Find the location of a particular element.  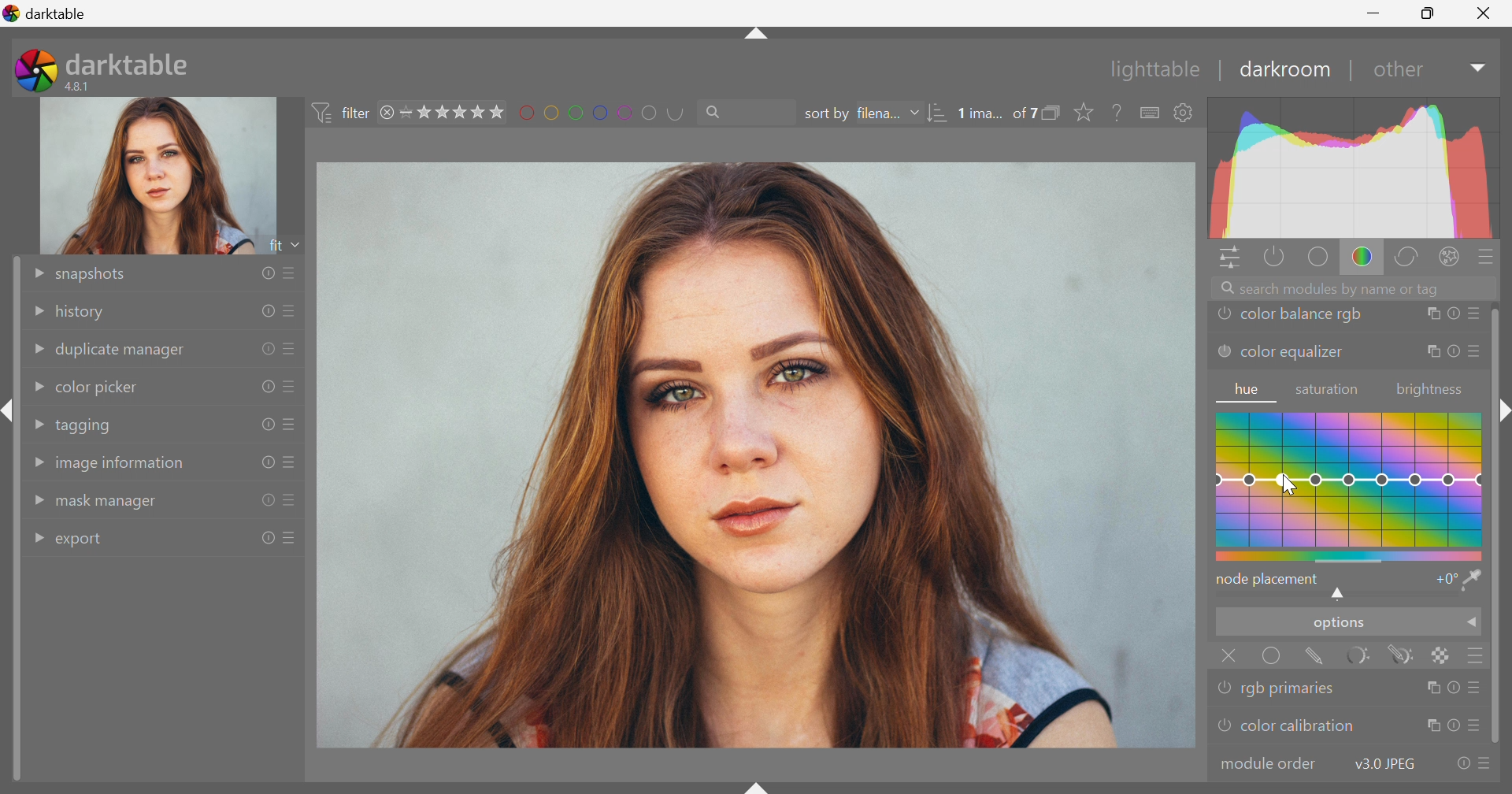

 is located at coordinates (1485, 13).